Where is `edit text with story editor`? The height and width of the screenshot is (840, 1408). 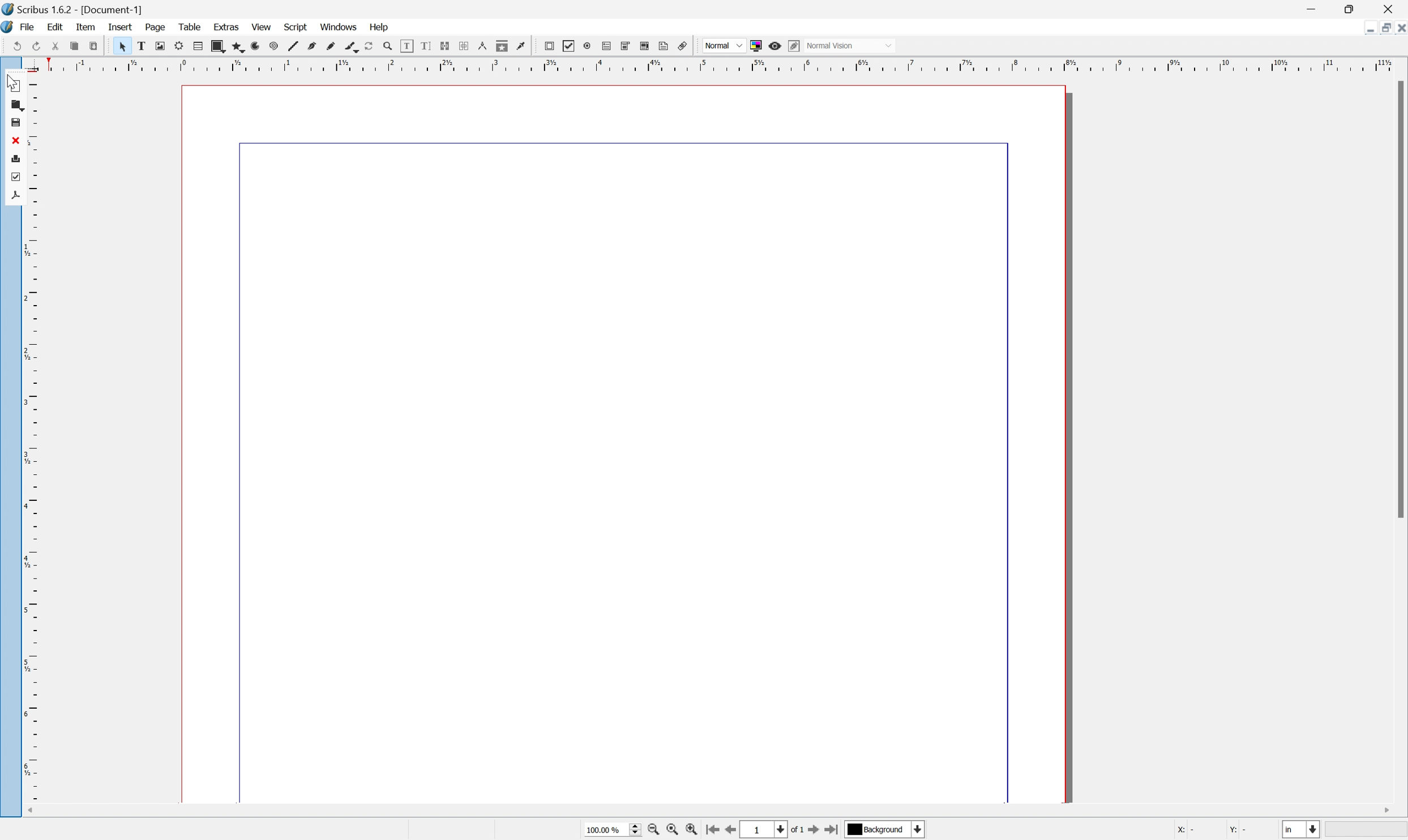
edit text with story editor is located at coordinates (568, 46).